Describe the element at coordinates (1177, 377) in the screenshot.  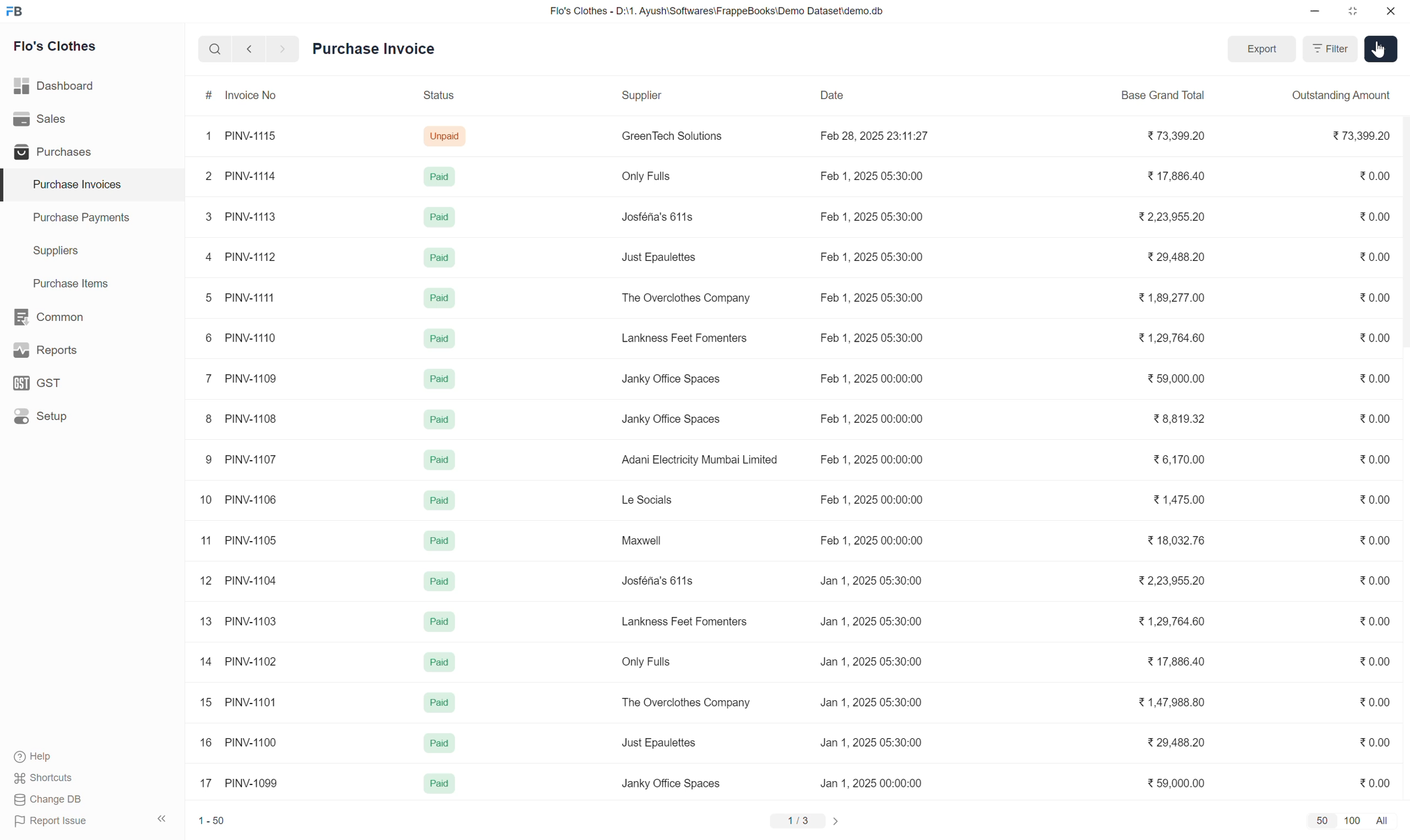
I see `59,000.00` at that location.